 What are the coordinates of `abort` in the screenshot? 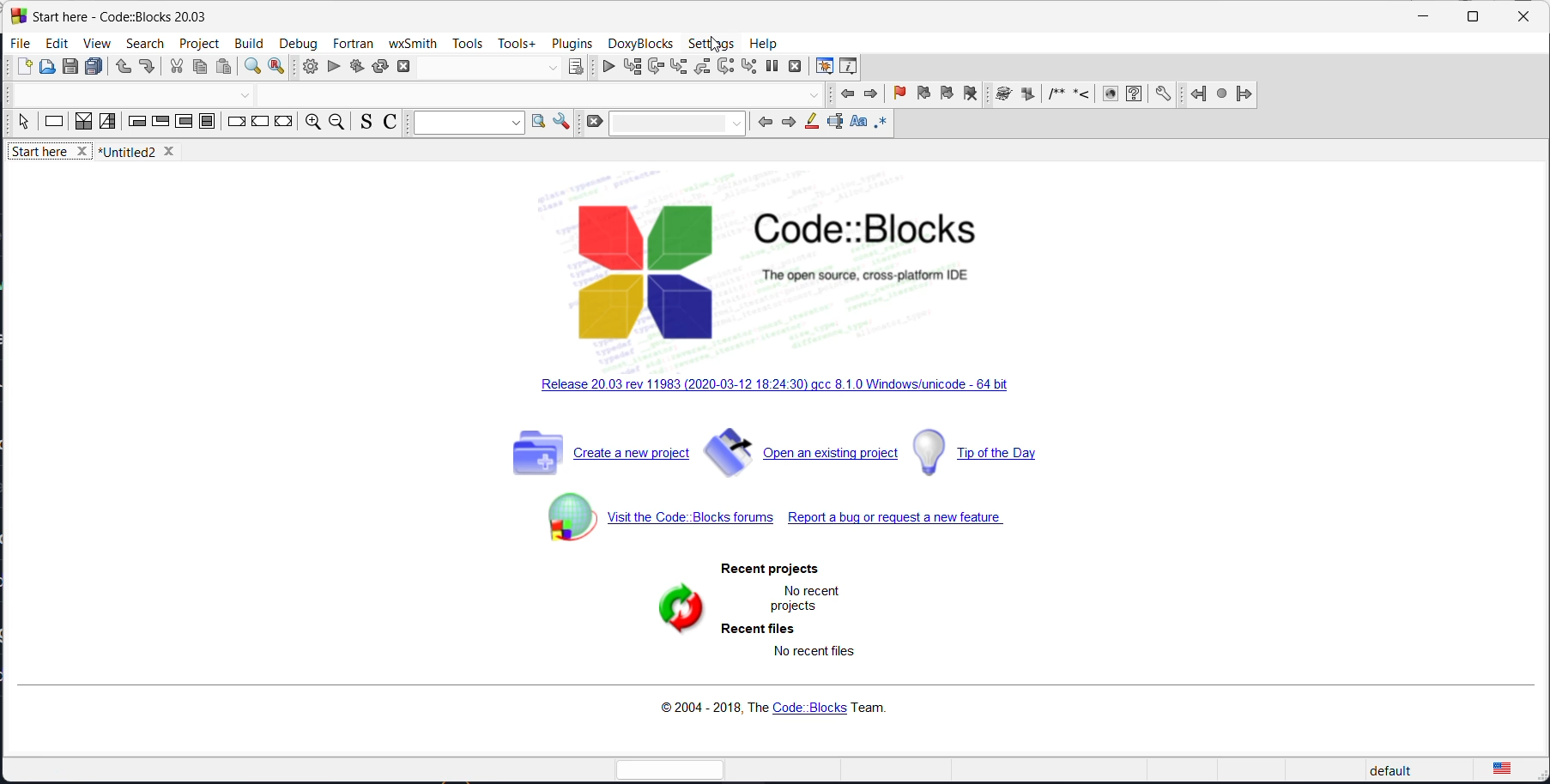 It's located at (409, 65).